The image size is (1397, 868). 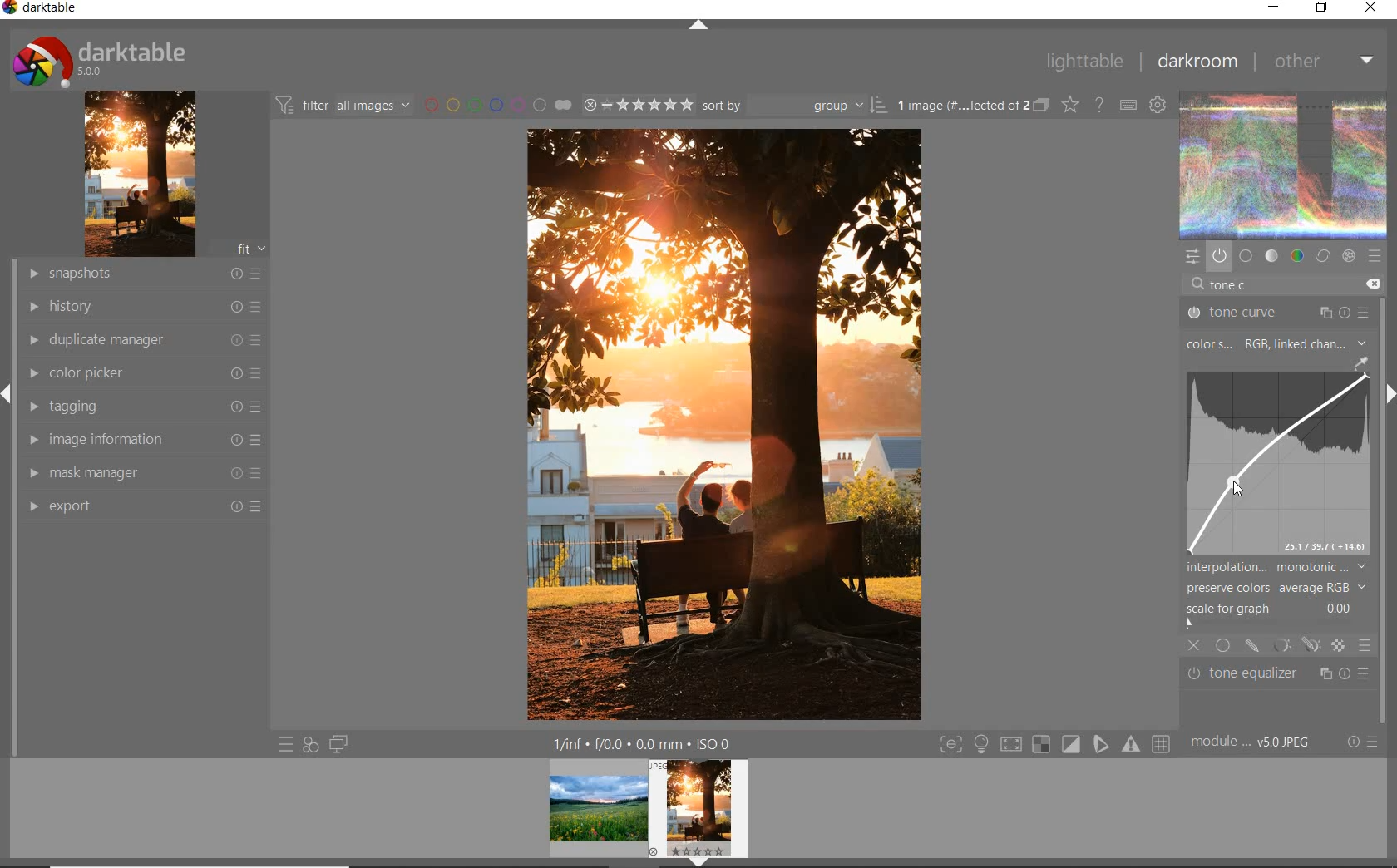 I want to click on quick access to presets, so click(x=286, y=745).